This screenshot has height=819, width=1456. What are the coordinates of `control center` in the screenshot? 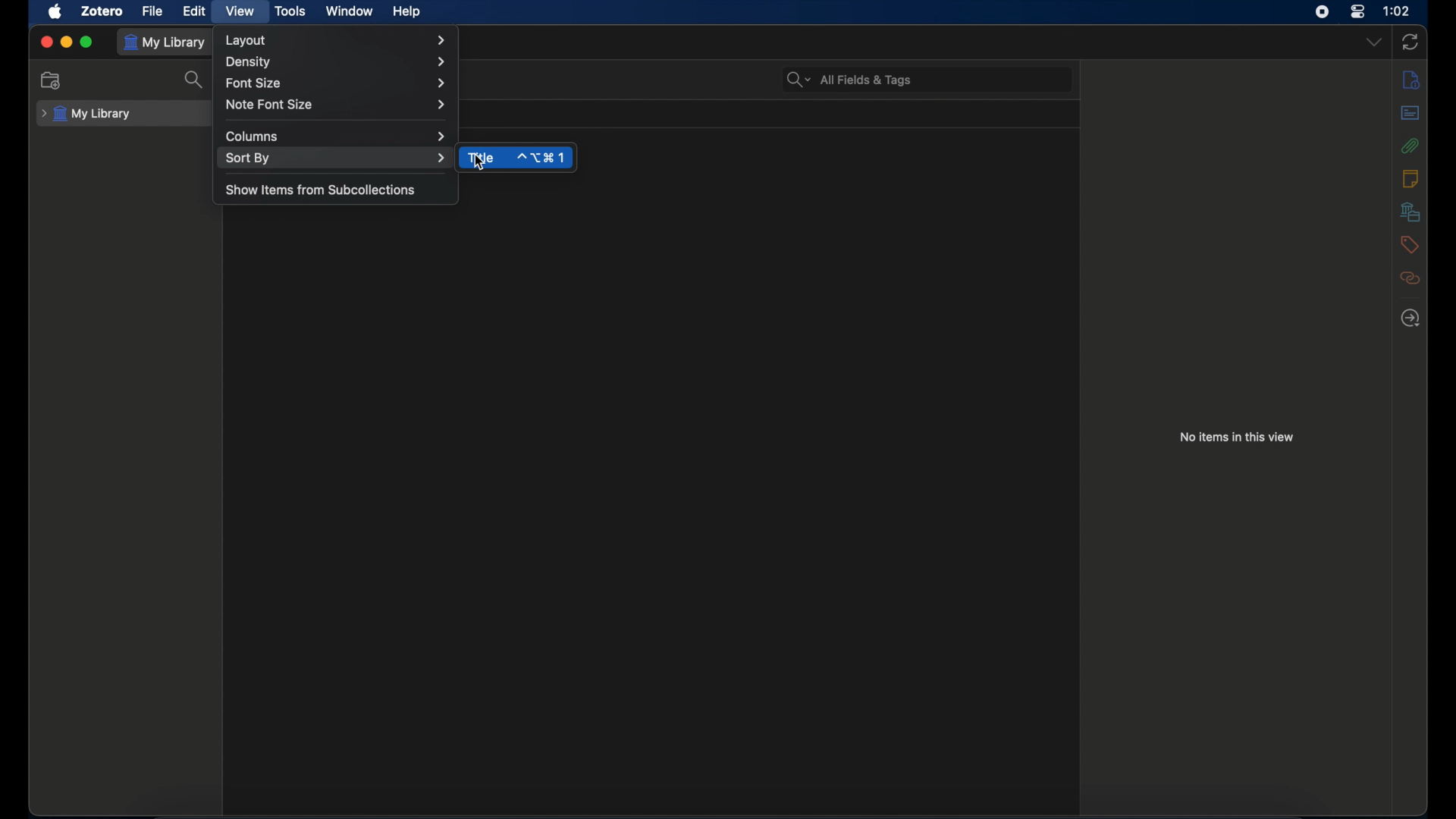 It's located at (1357, 11).